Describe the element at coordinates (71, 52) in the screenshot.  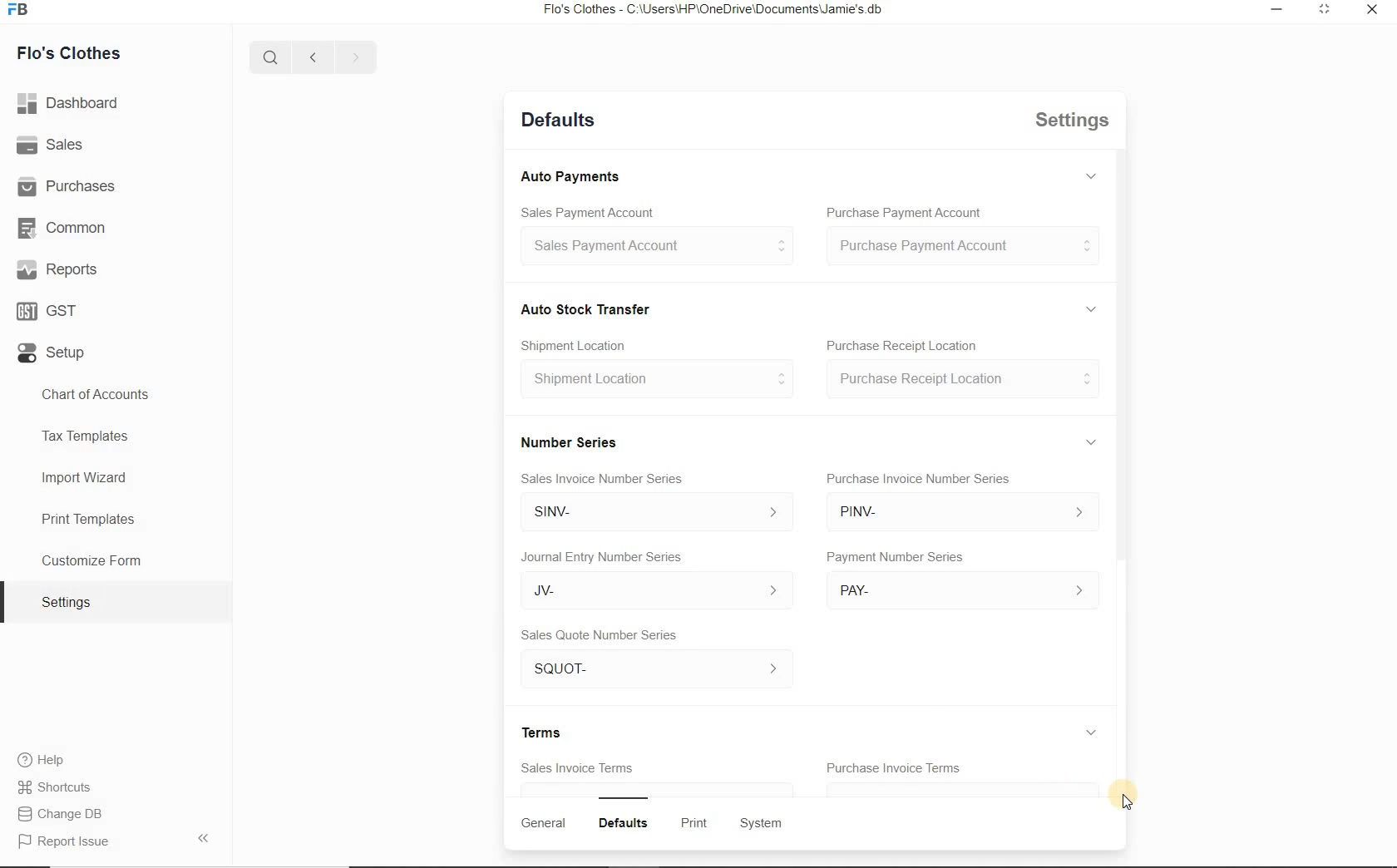
I see `Flo's Clothes` at that location.